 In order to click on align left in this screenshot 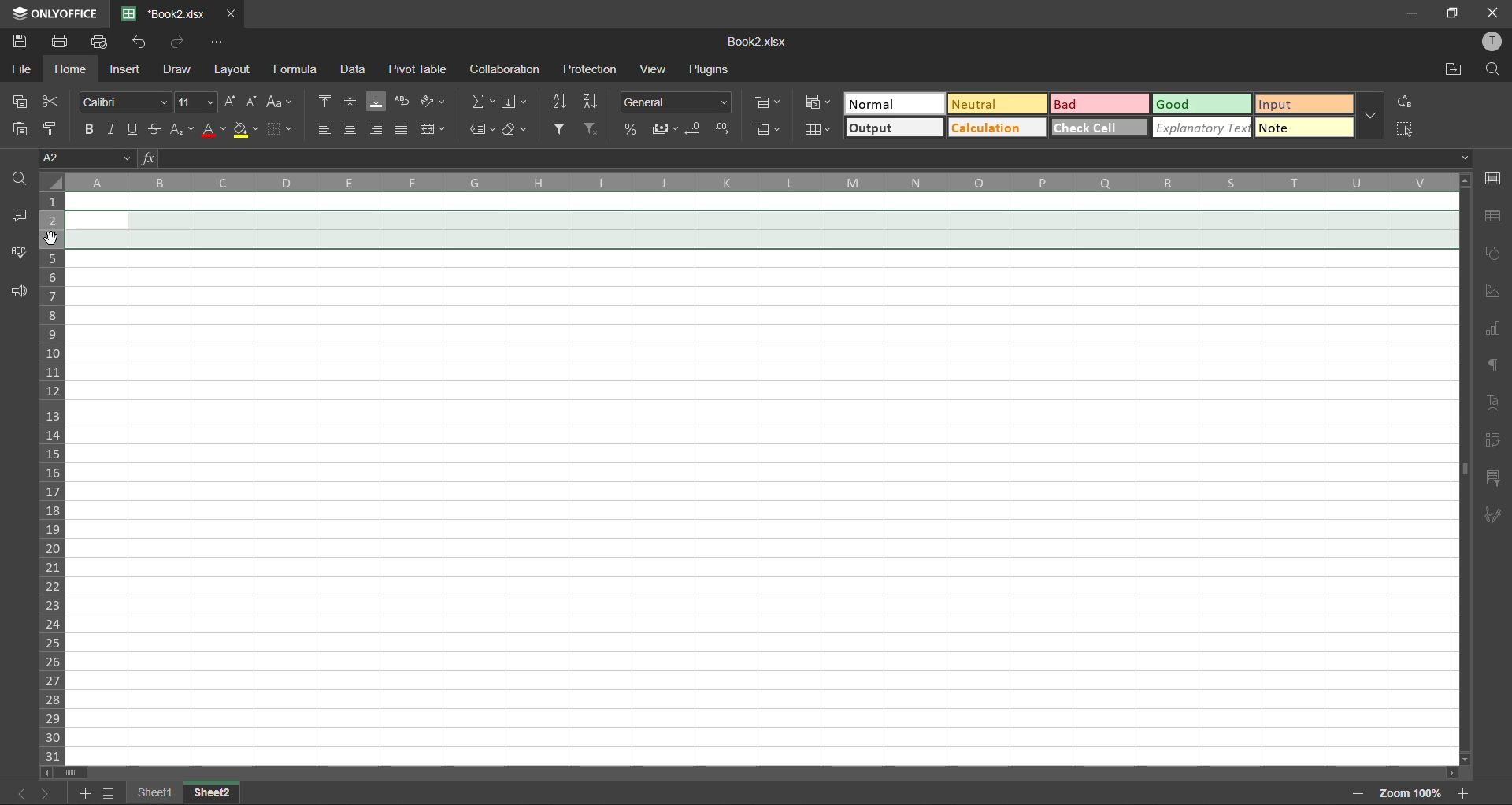, I will do `click(328, 128)`.